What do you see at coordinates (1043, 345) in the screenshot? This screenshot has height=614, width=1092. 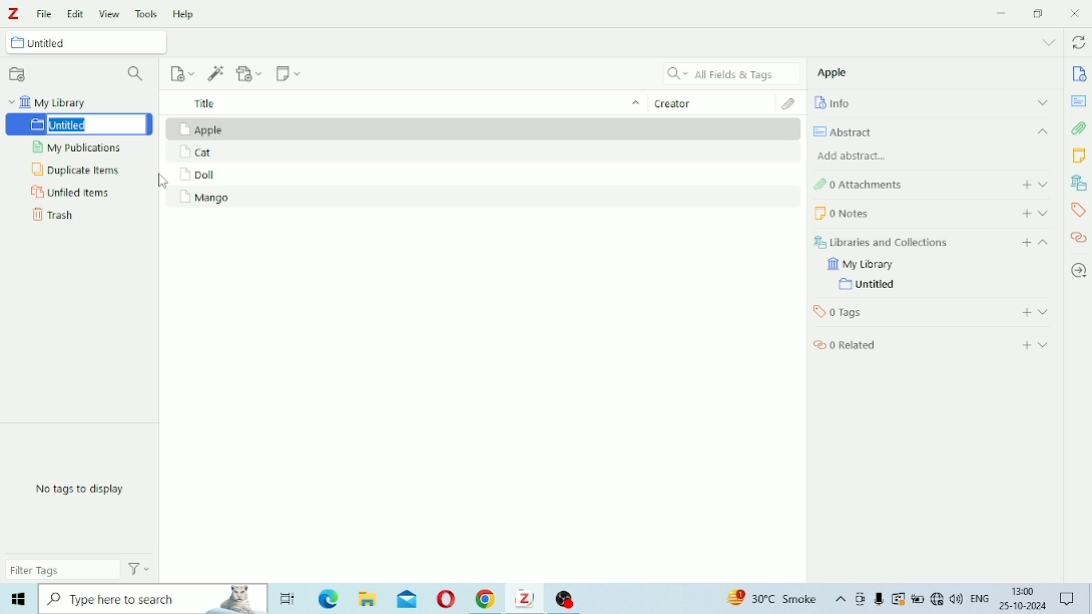 I see `Expand section` at bounding box center [1043, 345].